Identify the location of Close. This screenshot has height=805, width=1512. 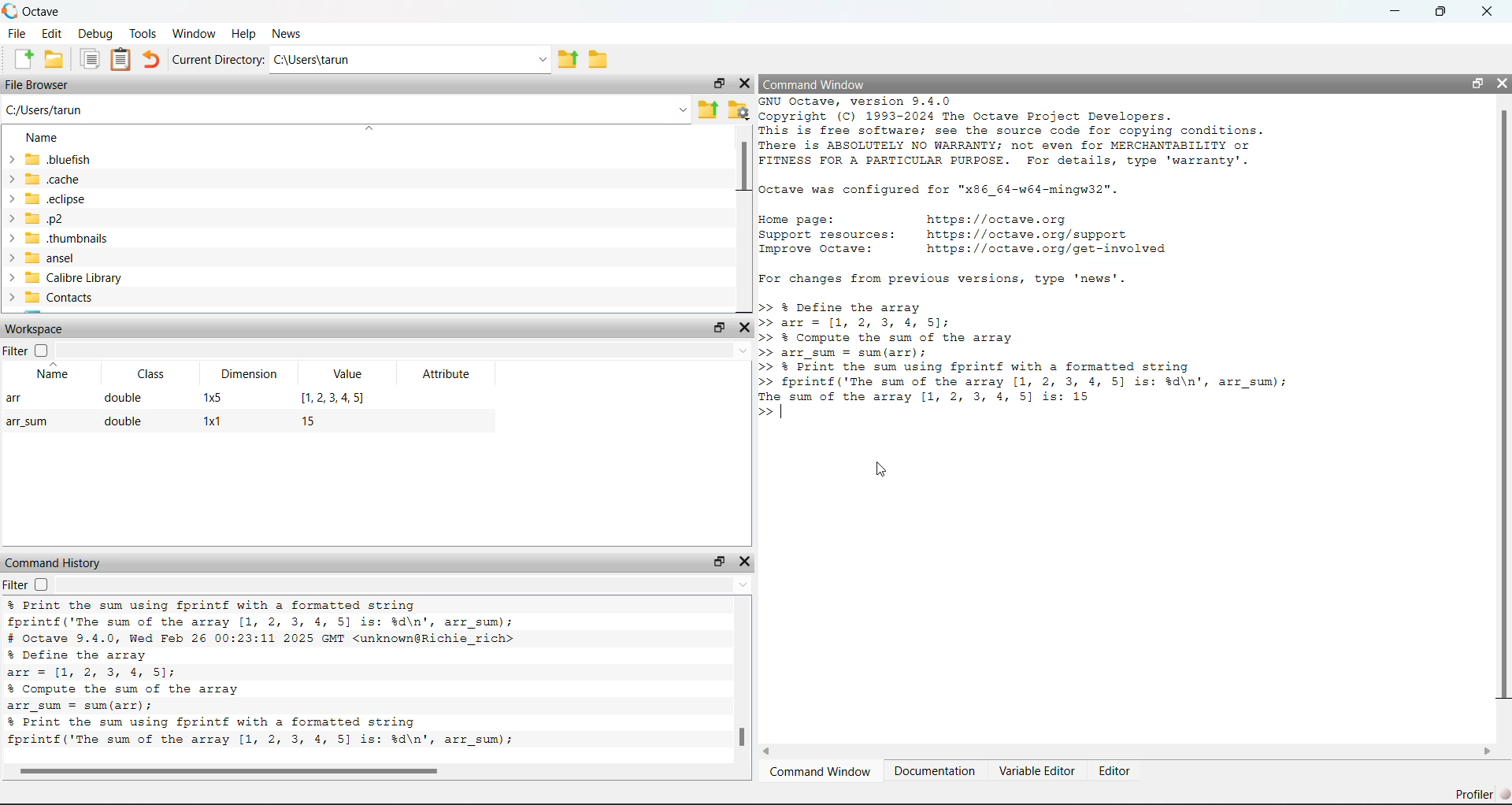
(744, 328).